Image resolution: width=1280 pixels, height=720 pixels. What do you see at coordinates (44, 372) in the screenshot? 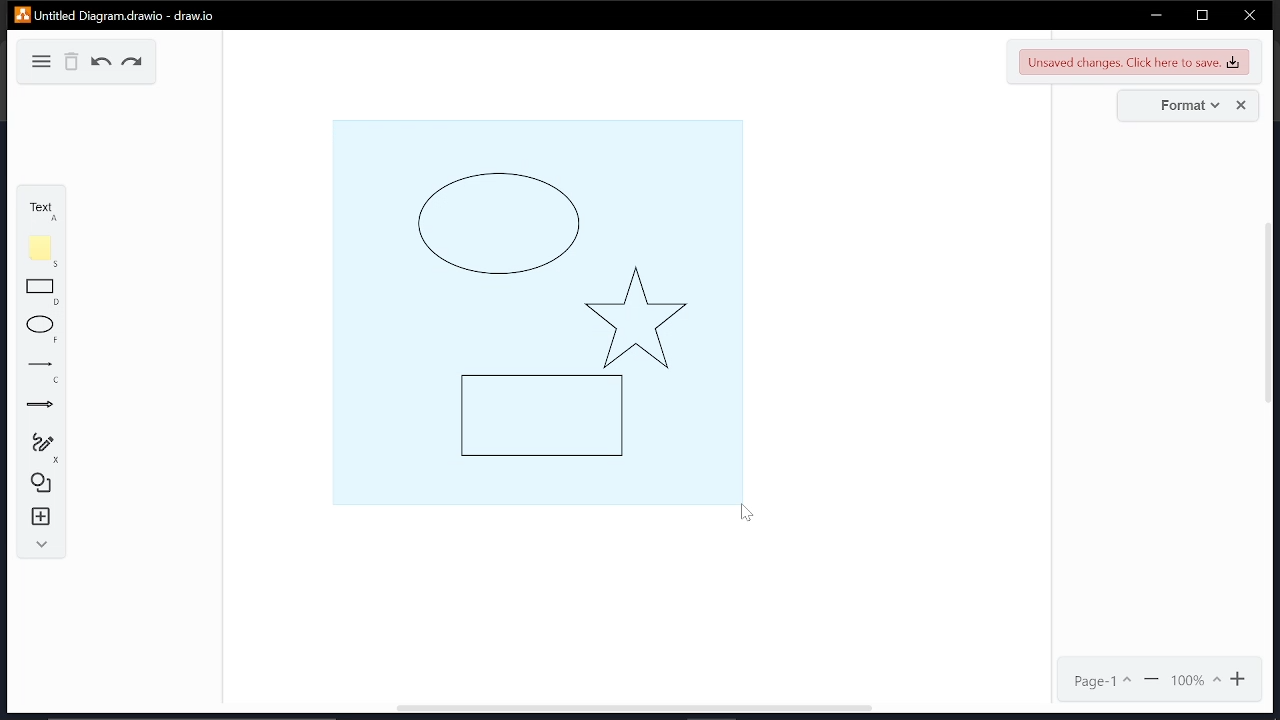
I see `lines` at bounding box center [44, 372].